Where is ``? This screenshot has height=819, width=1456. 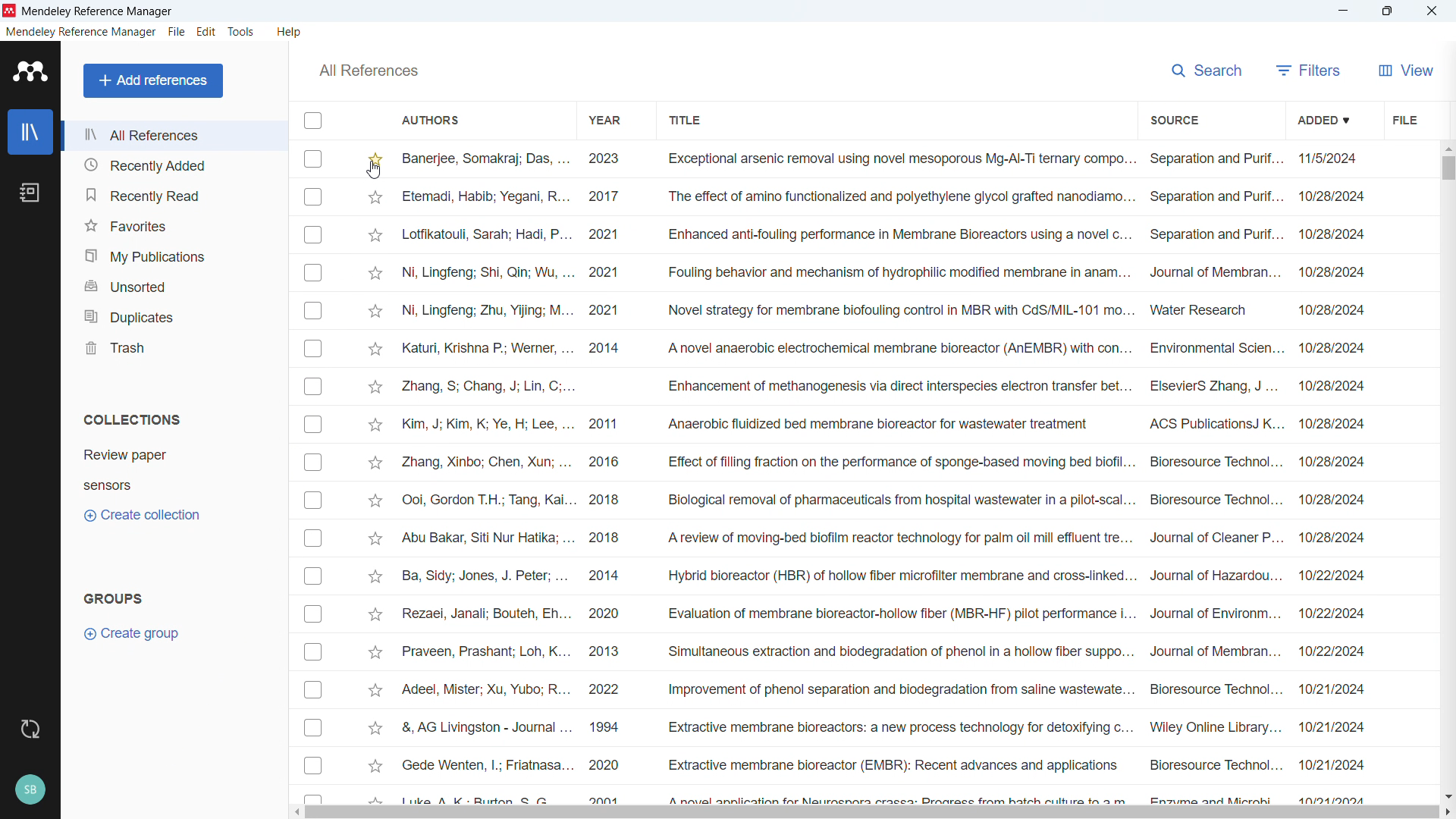
 is located at coordinates (487, 475).